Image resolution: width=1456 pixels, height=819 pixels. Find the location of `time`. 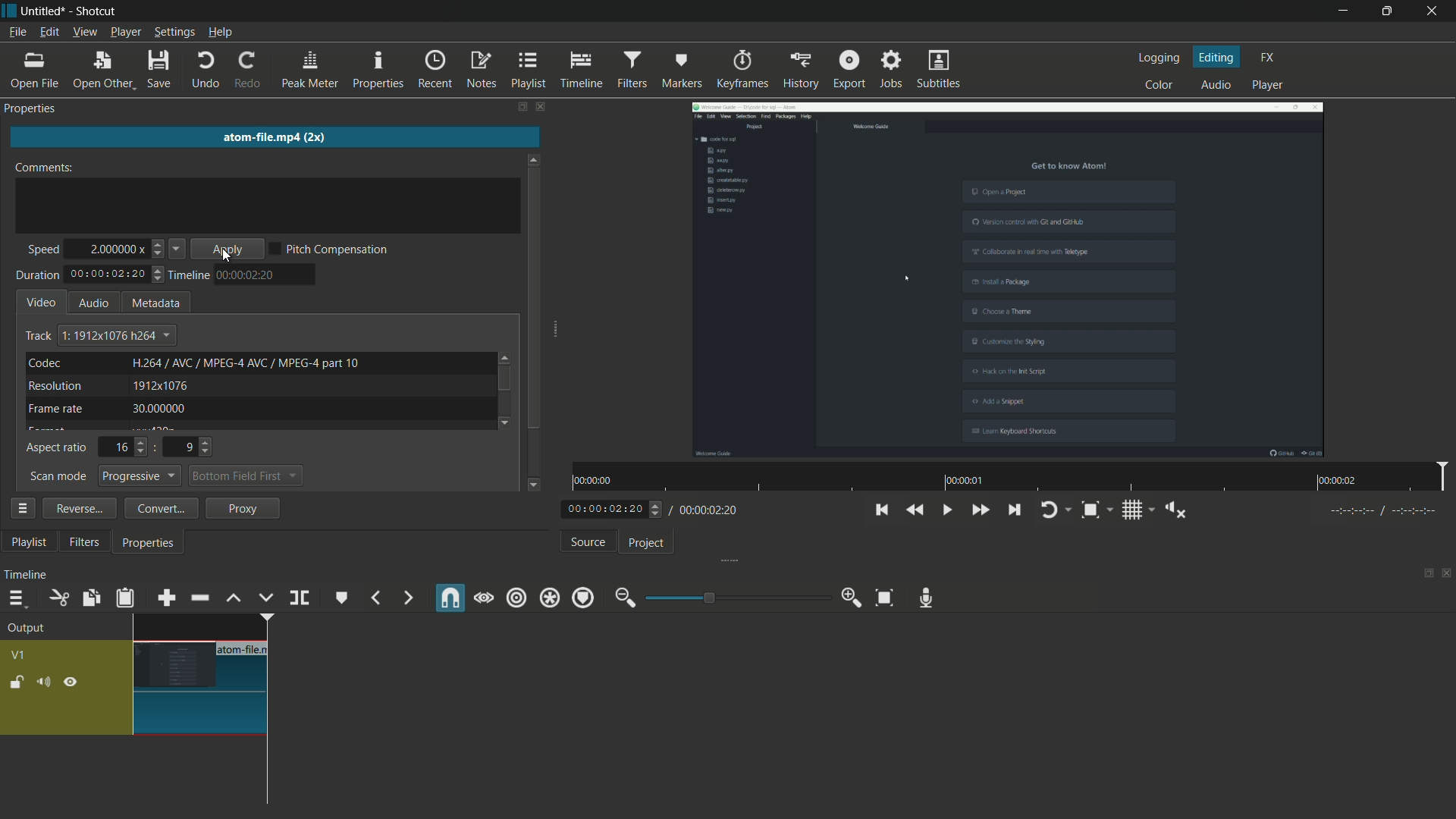

time is located at coordinates (247, 275).